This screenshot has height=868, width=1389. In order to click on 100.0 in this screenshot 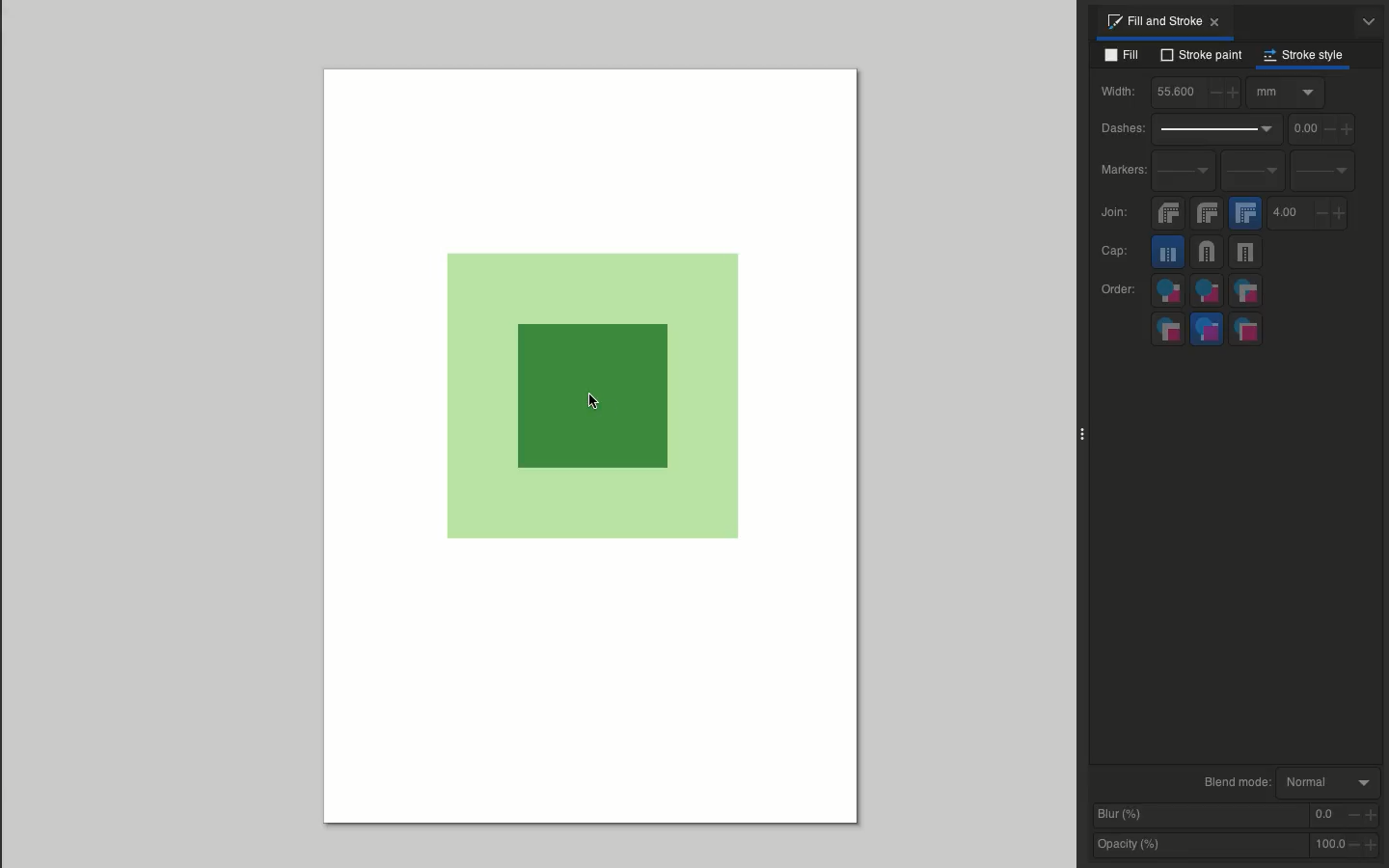, I will do `click(1345, 843)`.